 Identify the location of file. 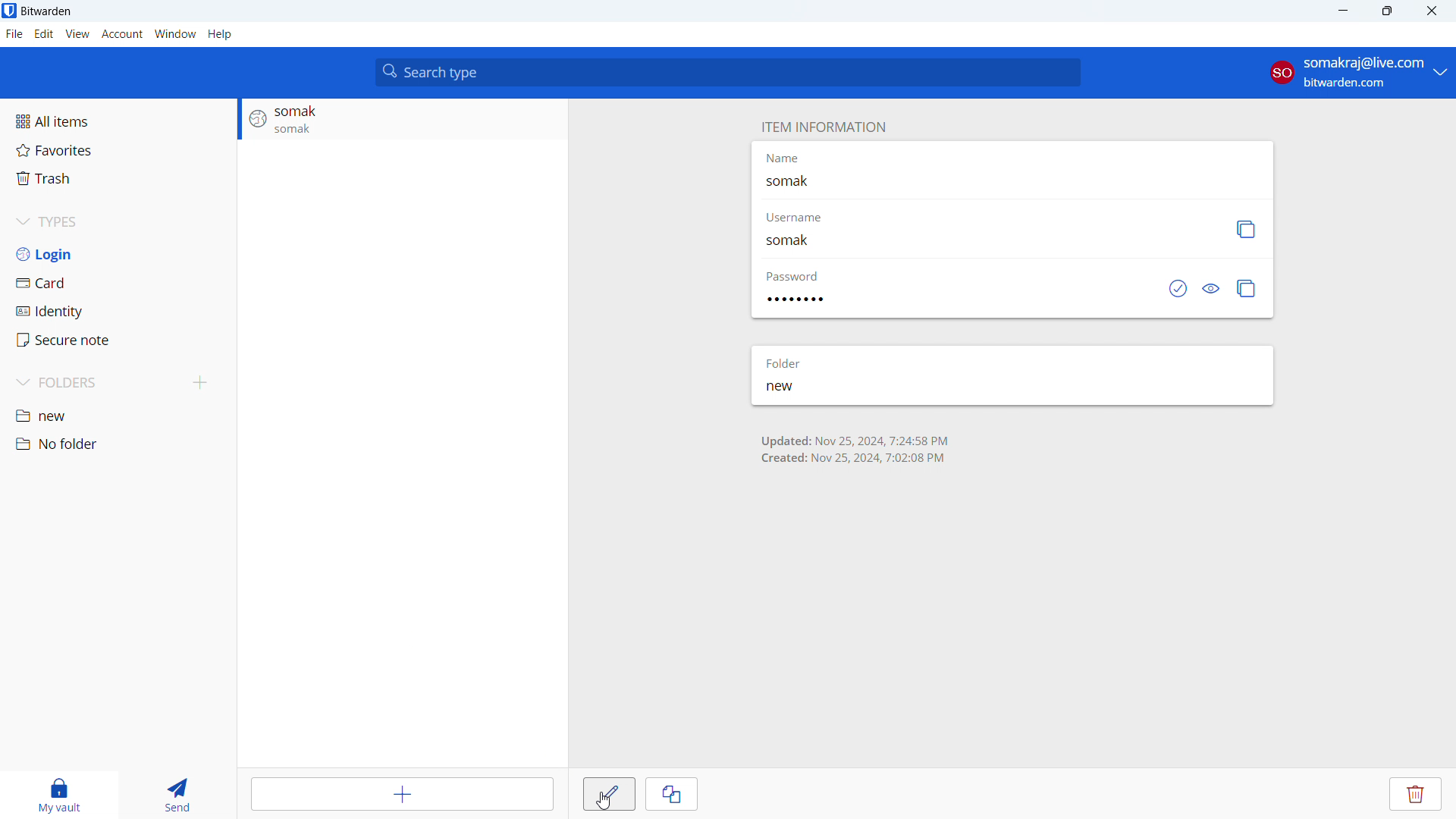
(14, 34).